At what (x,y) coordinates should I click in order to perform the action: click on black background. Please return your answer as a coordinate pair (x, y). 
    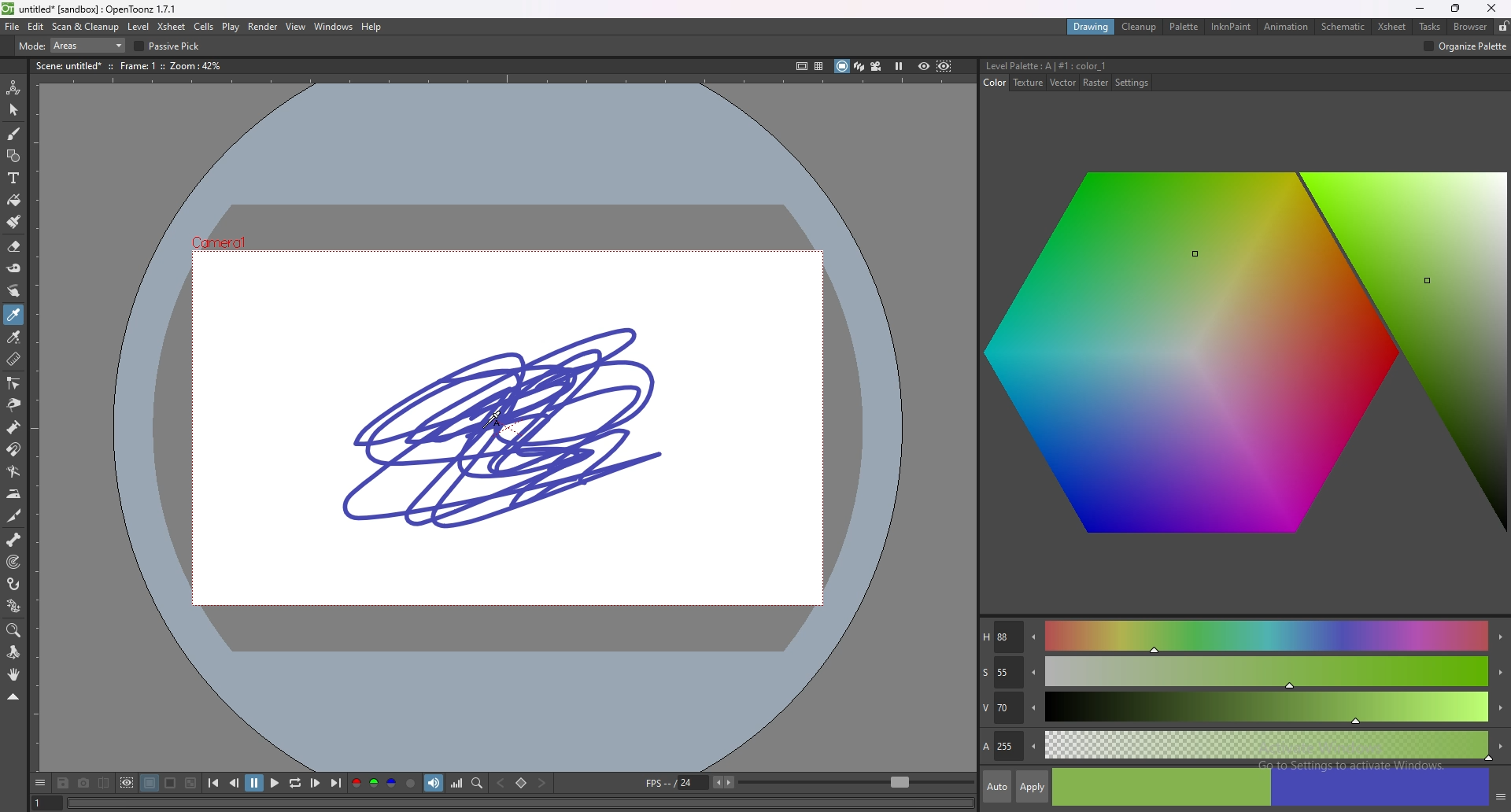
    Looking at the image, I should click on (150, 783).